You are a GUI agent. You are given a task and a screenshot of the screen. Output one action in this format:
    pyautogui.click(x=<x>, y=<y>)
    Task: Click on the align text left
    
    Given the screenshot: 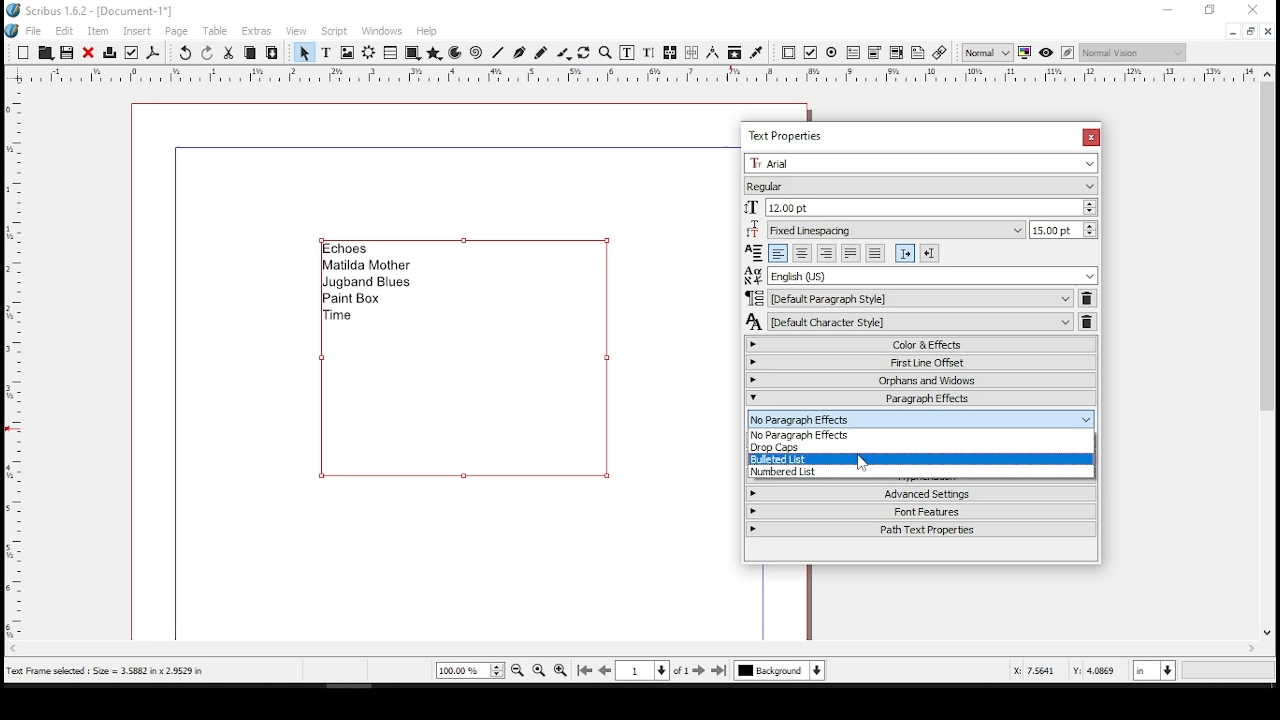 What is the action you would take?
    pyautogui.click(x=776, y=253)
    